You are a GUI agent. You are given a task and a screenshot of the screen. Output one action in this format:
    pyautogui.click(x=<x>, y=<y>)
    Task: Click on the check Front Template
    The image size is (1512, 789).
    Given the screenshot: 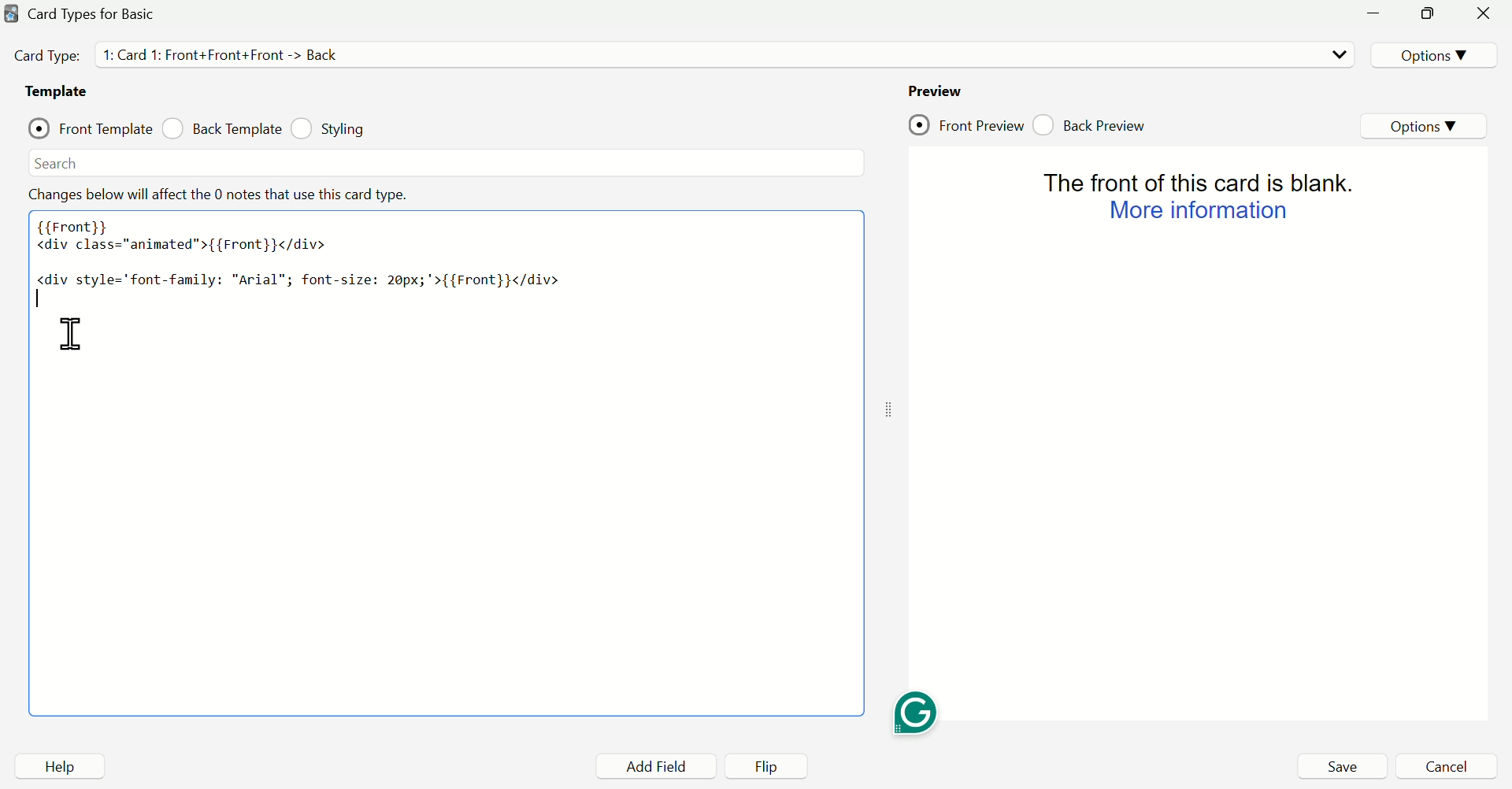 What is the action you would take?
    pyautogui.click(x=89, y=128)
    